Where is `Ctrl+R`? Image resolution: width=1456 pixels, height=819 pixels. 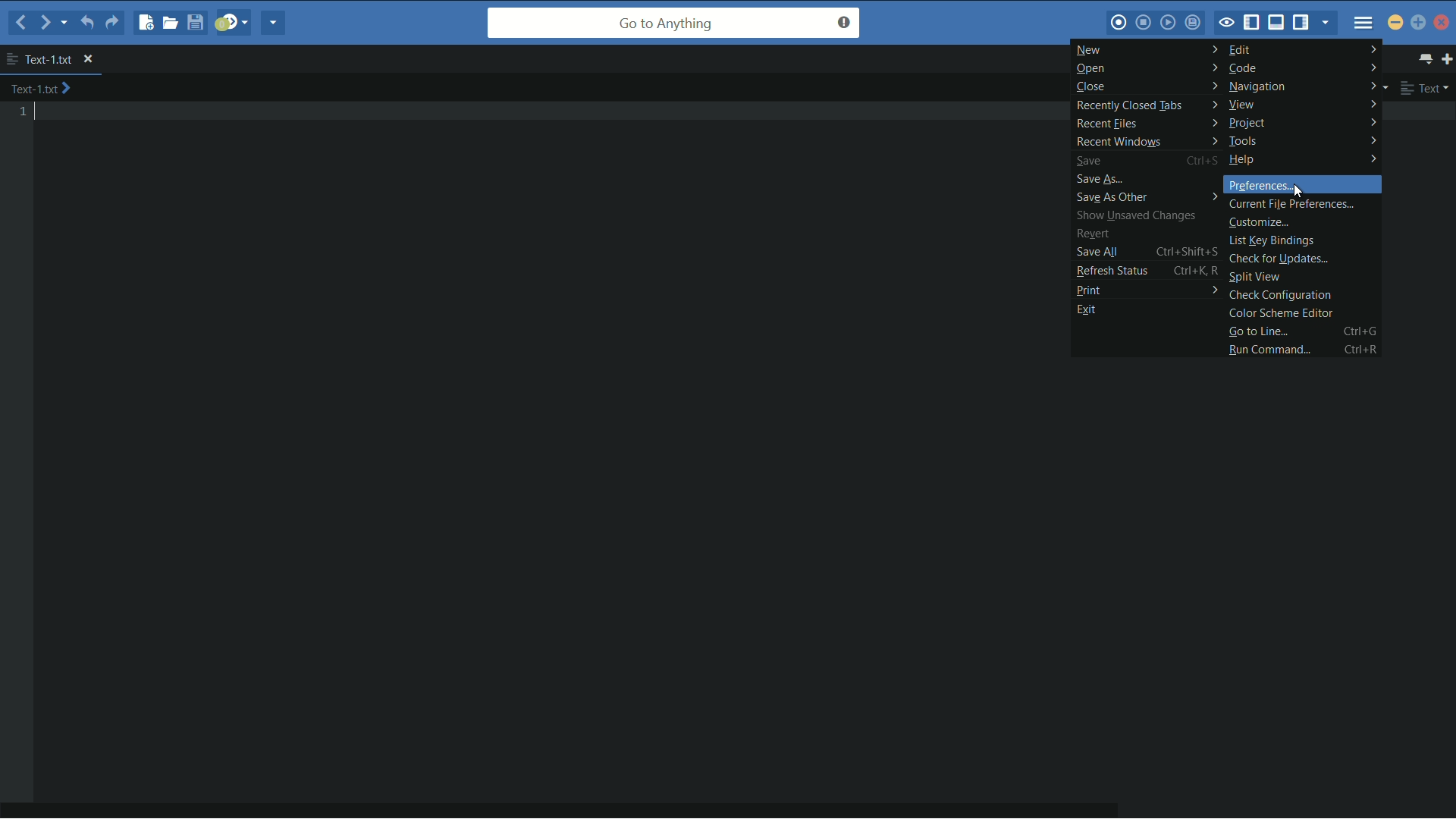 Ctrl+R is located at coordinates (1363, 351).